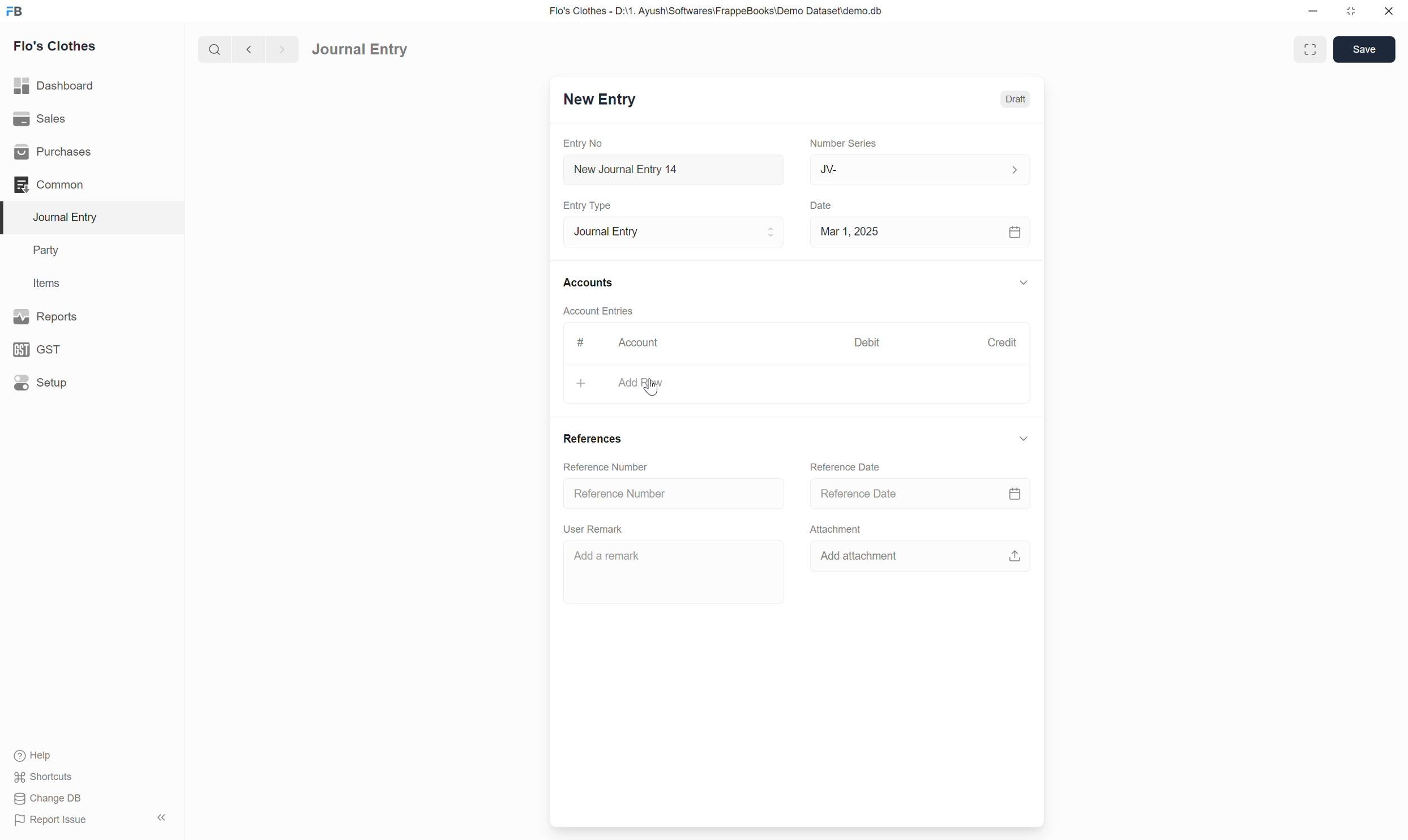 This screenshot has width=1408, height=840. I want to click on Credit, so click(1002, 342).